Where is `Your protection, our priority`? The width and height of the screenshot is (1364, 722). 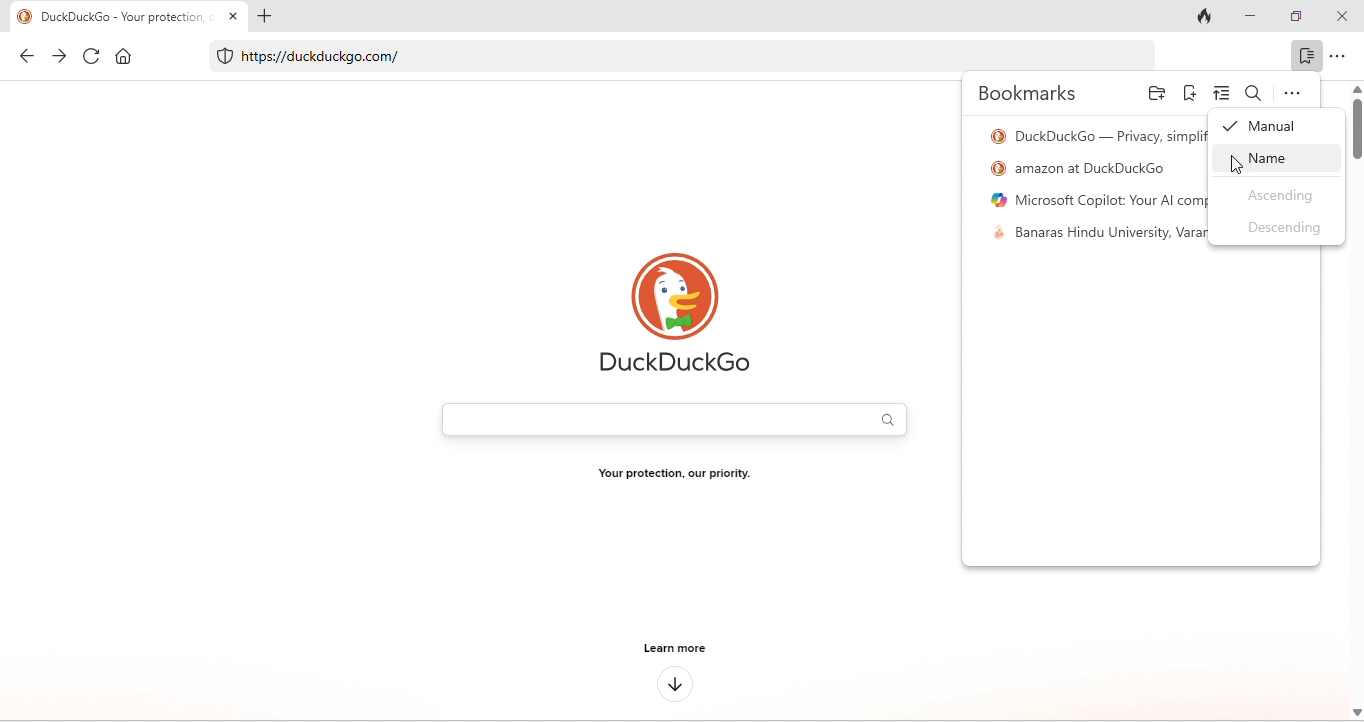
Your protection, our priority is located at coordinates (676, 477).